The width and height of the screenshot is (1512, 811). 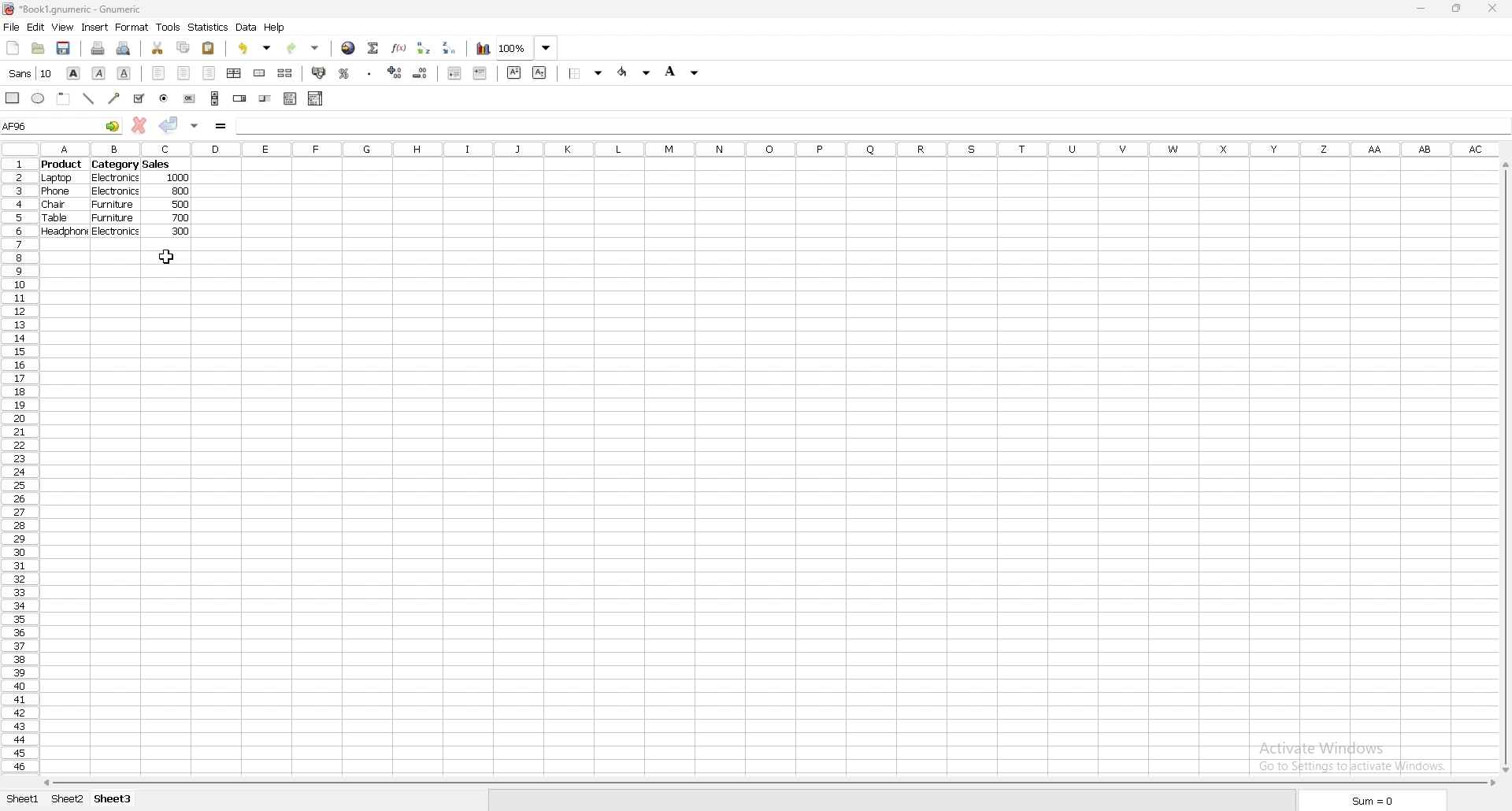 What do you see at coordinates (274, 27) in the screenshot?
I see `help` at bounding box center [274, 27].